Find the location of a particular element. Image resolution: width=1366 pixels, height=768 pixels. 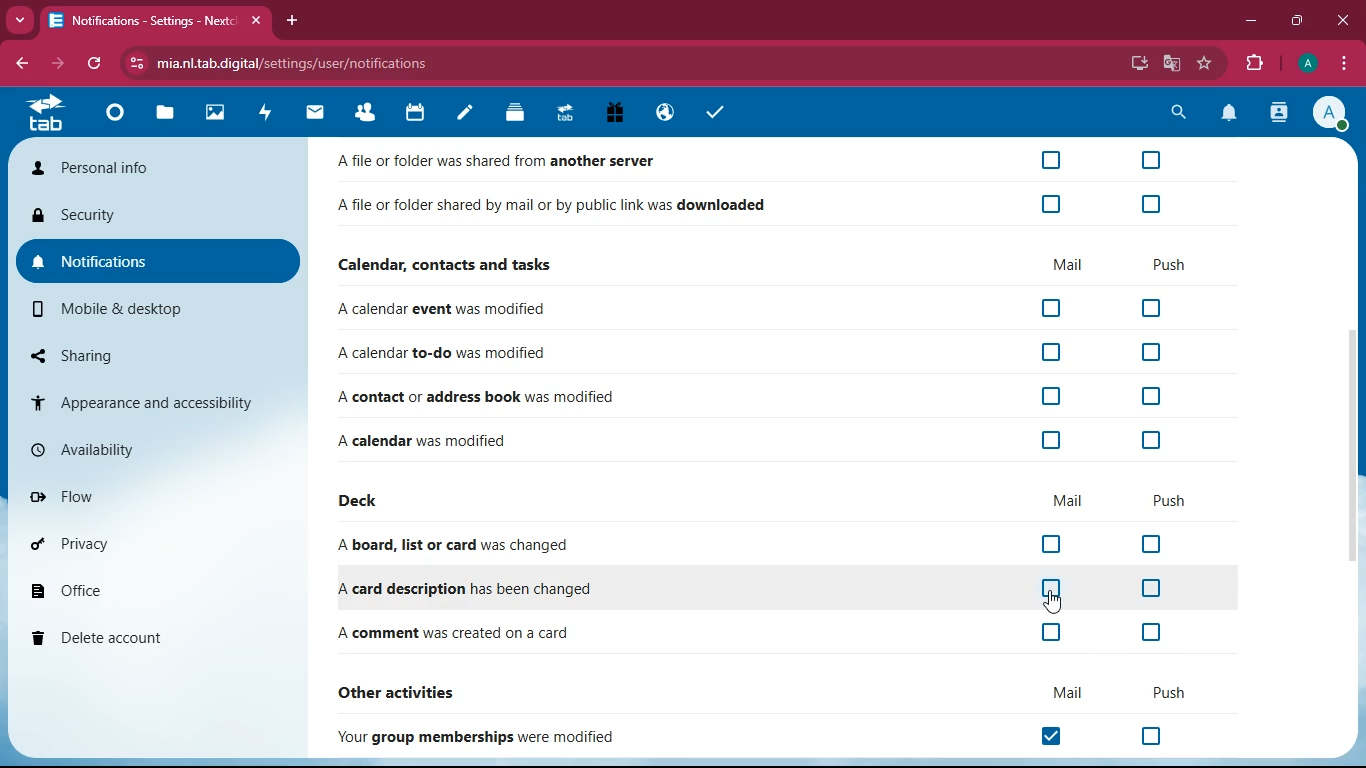

off is located at coordinates (1052, 591).